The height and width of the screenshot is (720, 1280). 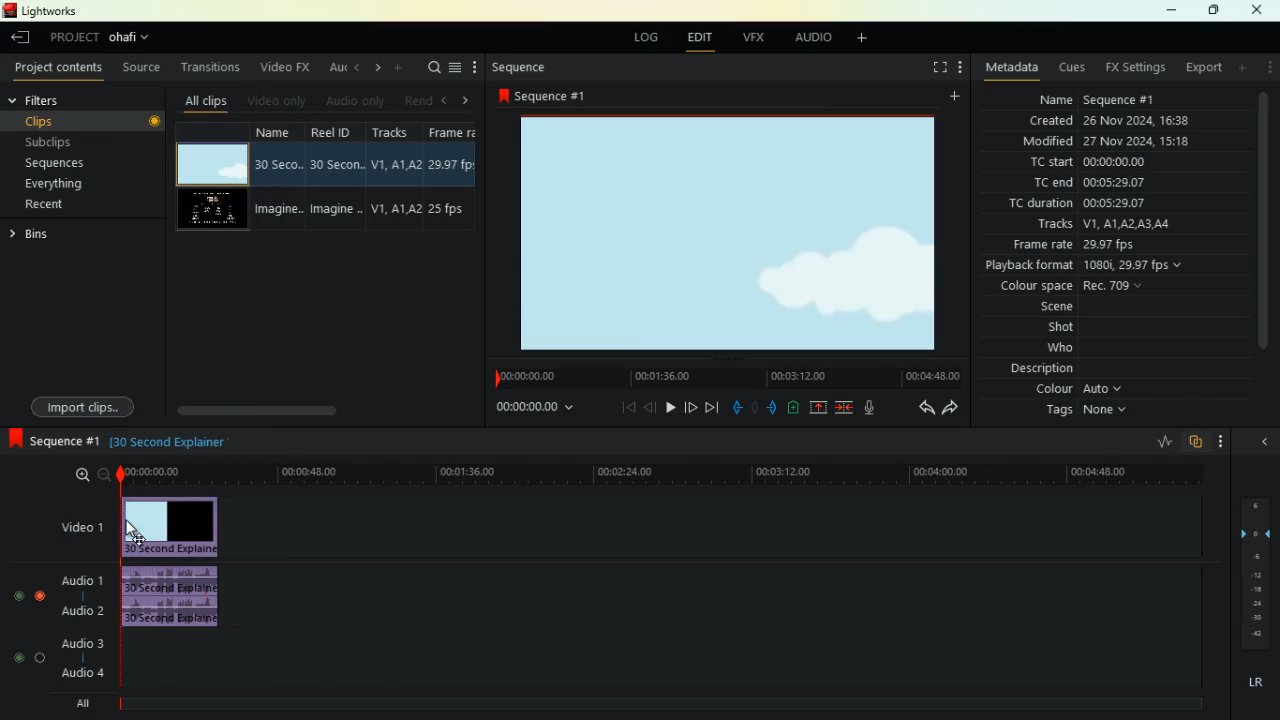 What do you see at coordinates (754, 406) in the screenshot?
I see `hold` at bounding box center [754, 406].